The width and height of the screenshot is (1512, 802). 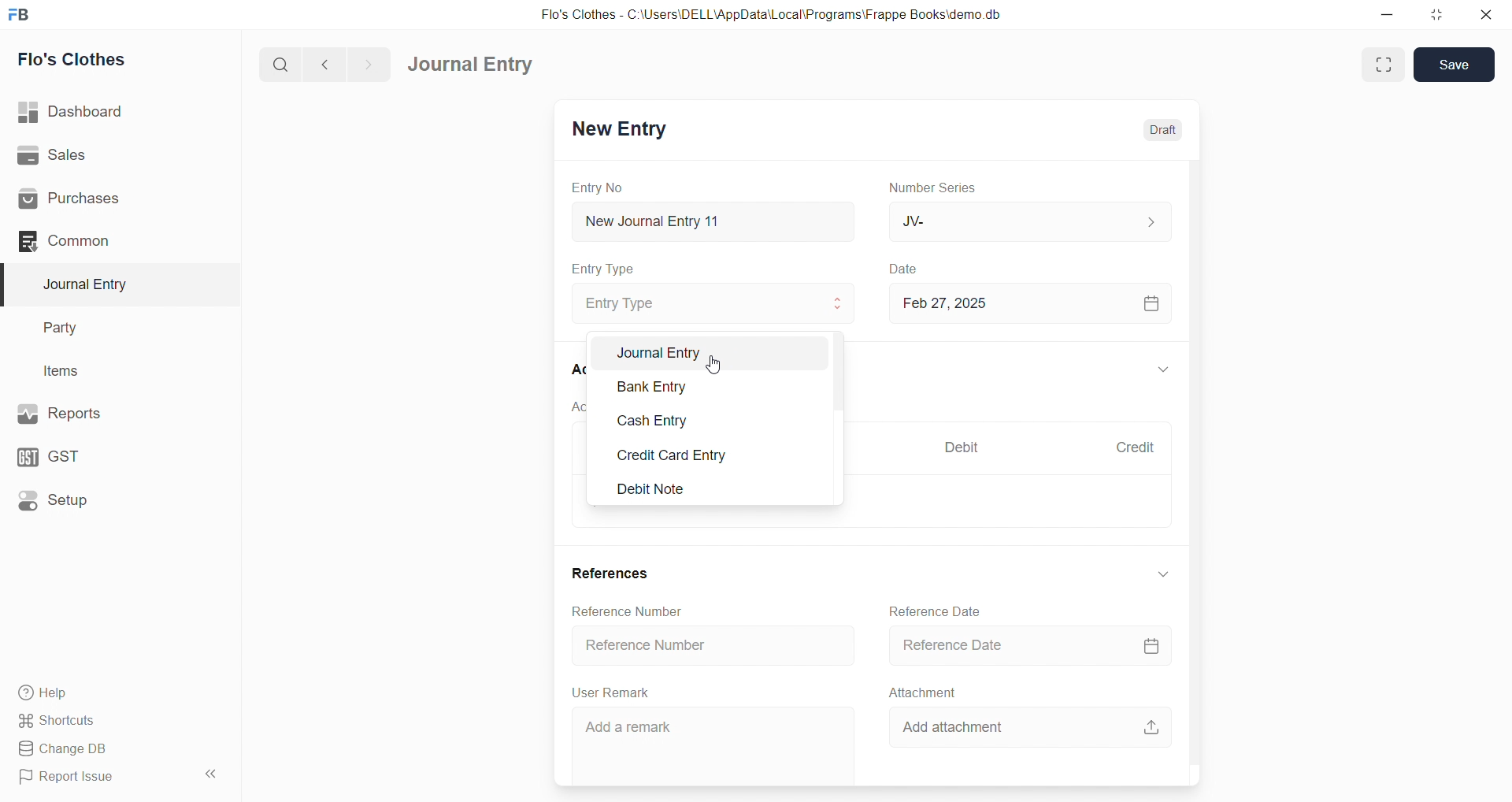 I want to click on References, so click(x=613, y=575).